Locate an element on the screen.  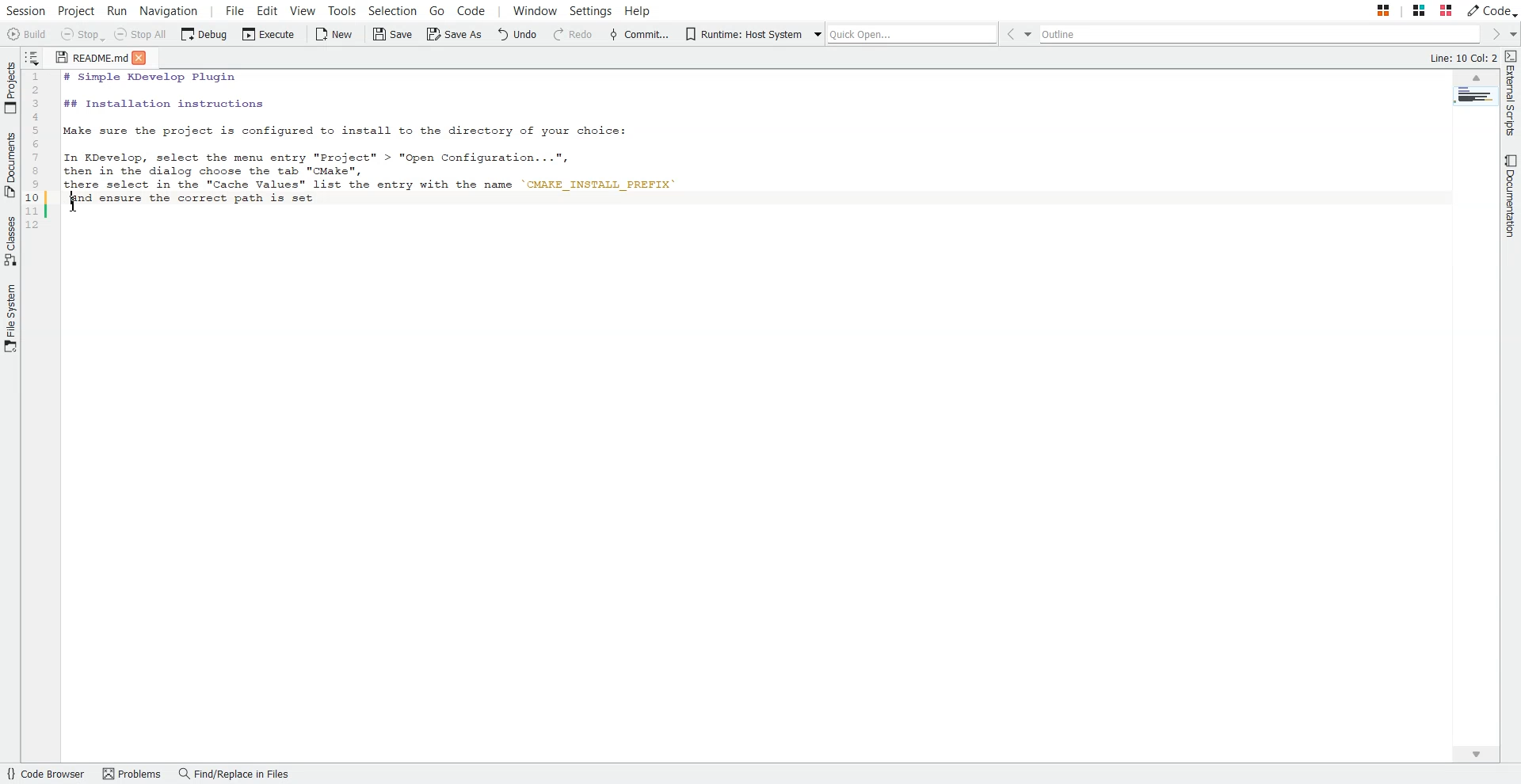
then in the dialog choose the tab "CMake", is located at coordinates (223, 171).